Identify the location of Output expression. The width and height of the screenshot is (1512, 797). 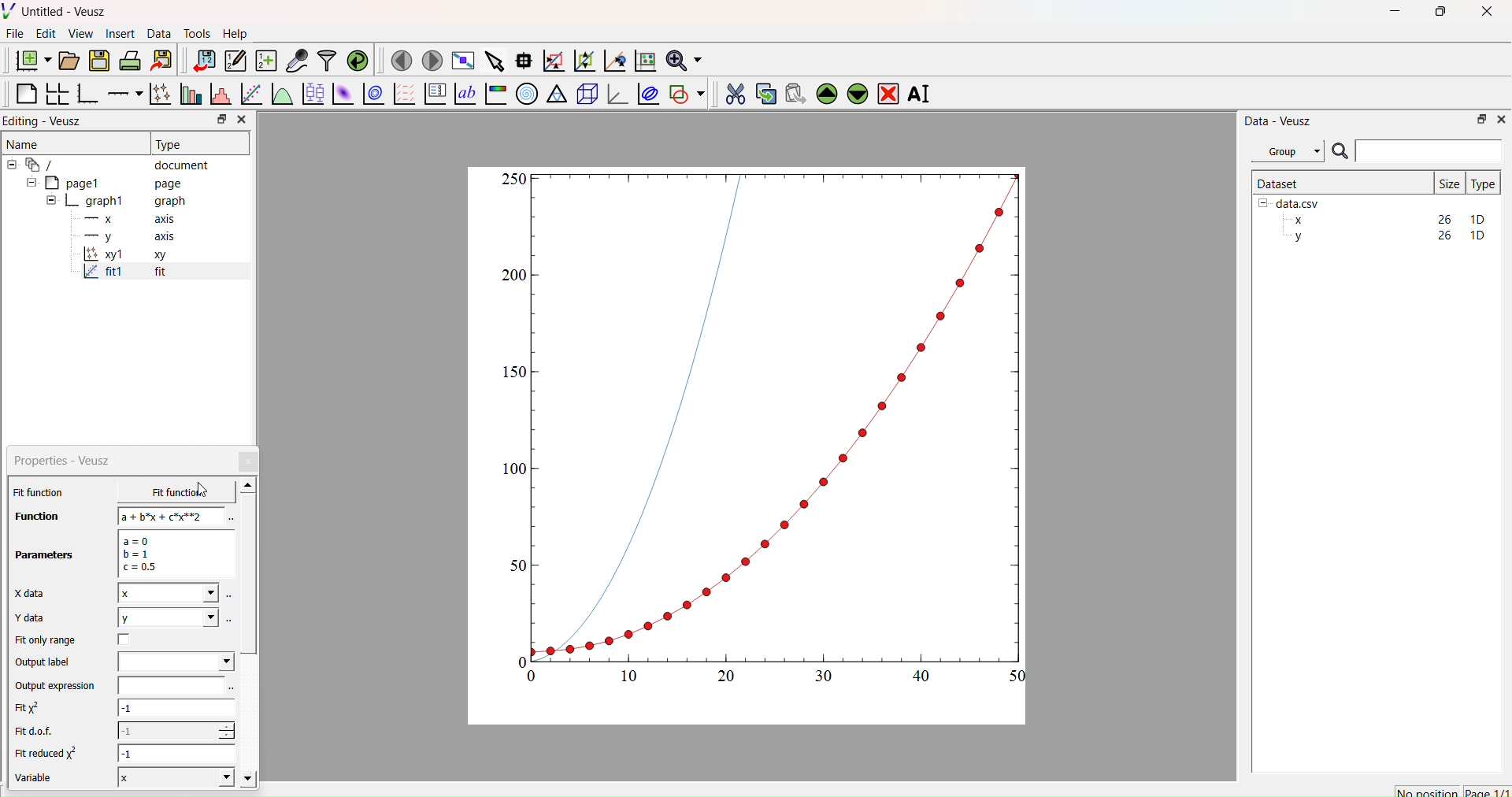
(60, 686).